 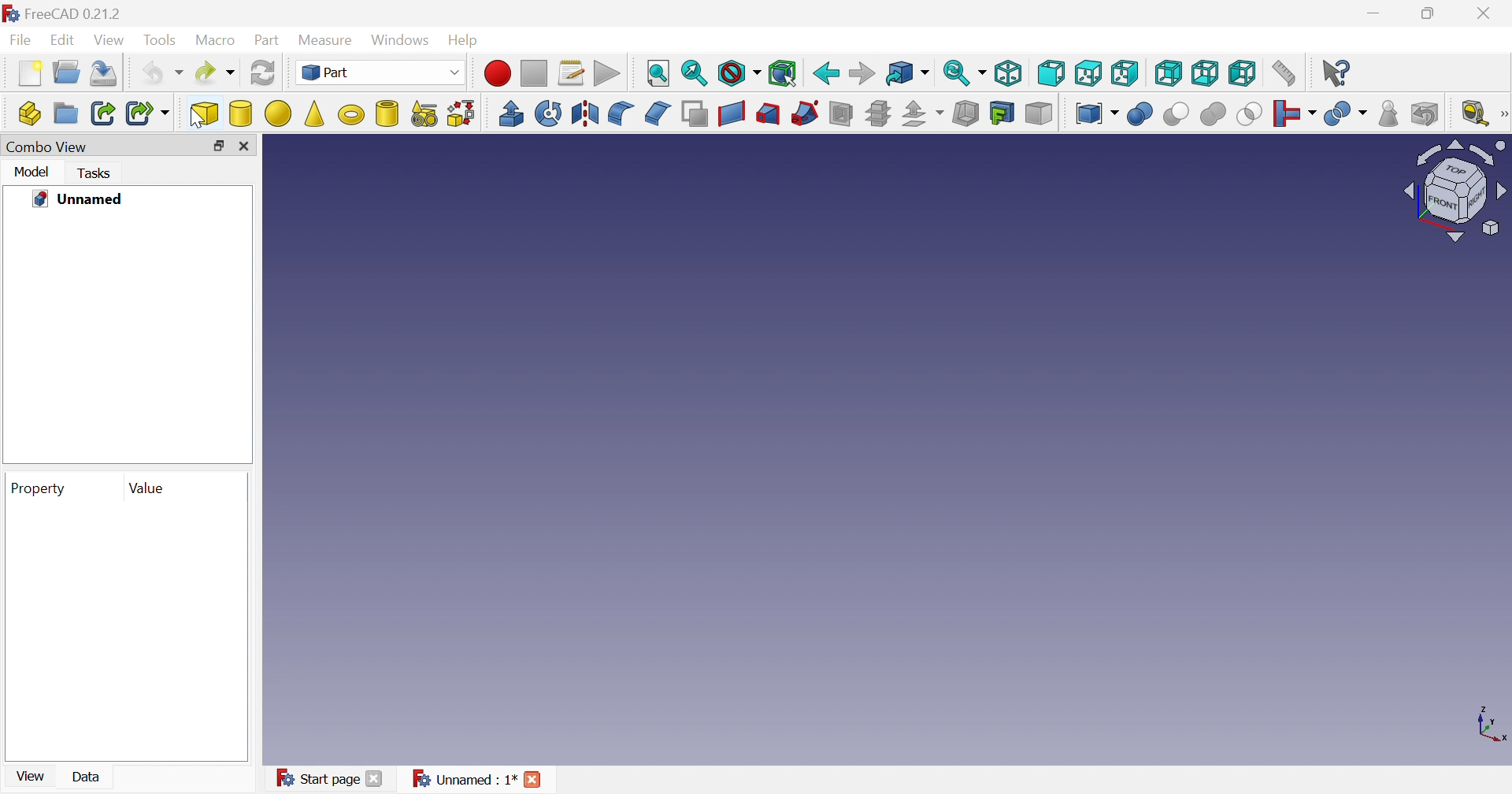 I want to click on Join objects, so click(x=1293, y=114).